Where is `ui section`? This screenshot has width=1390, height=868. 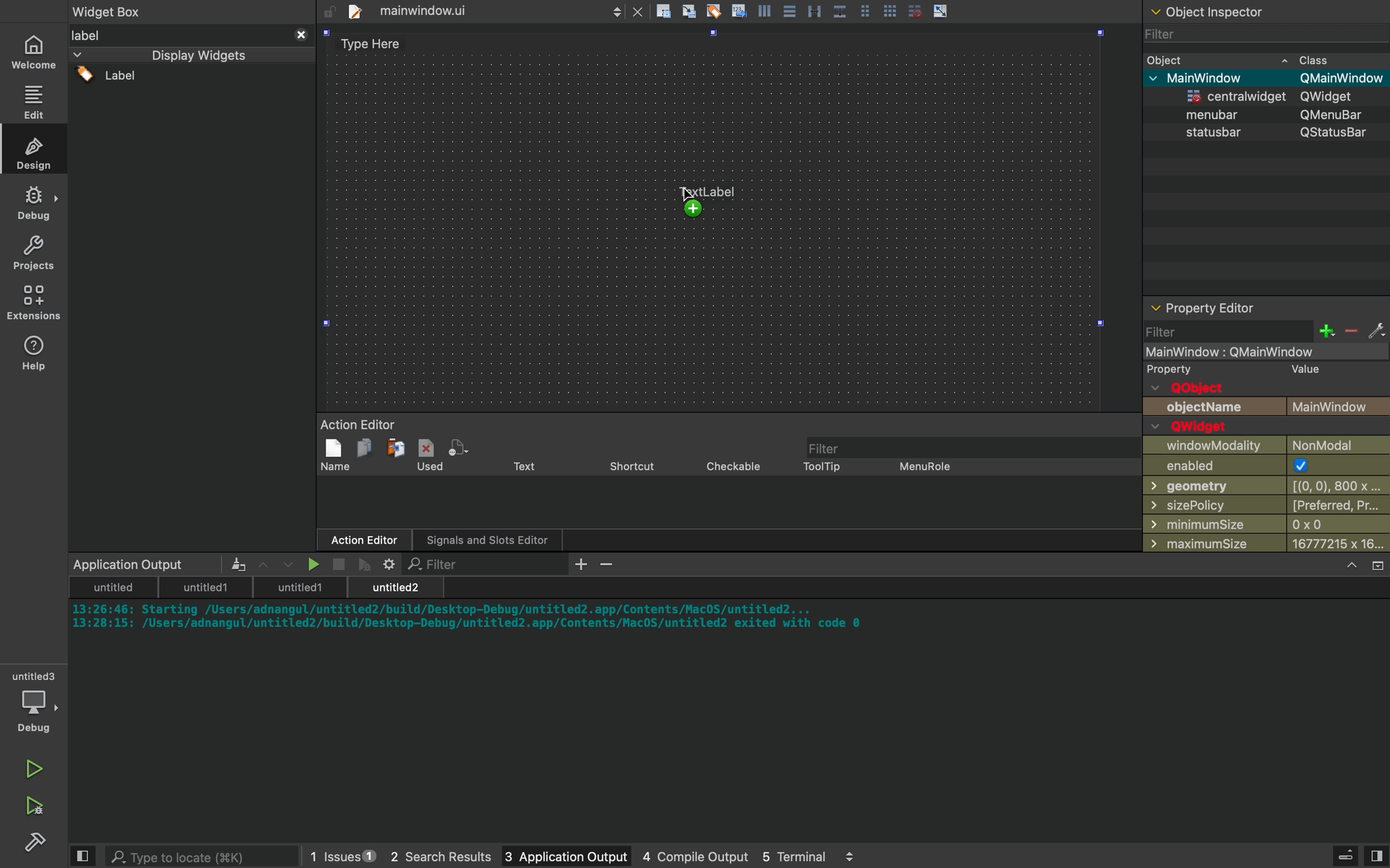 ui section is located at coordinates (727, 208).